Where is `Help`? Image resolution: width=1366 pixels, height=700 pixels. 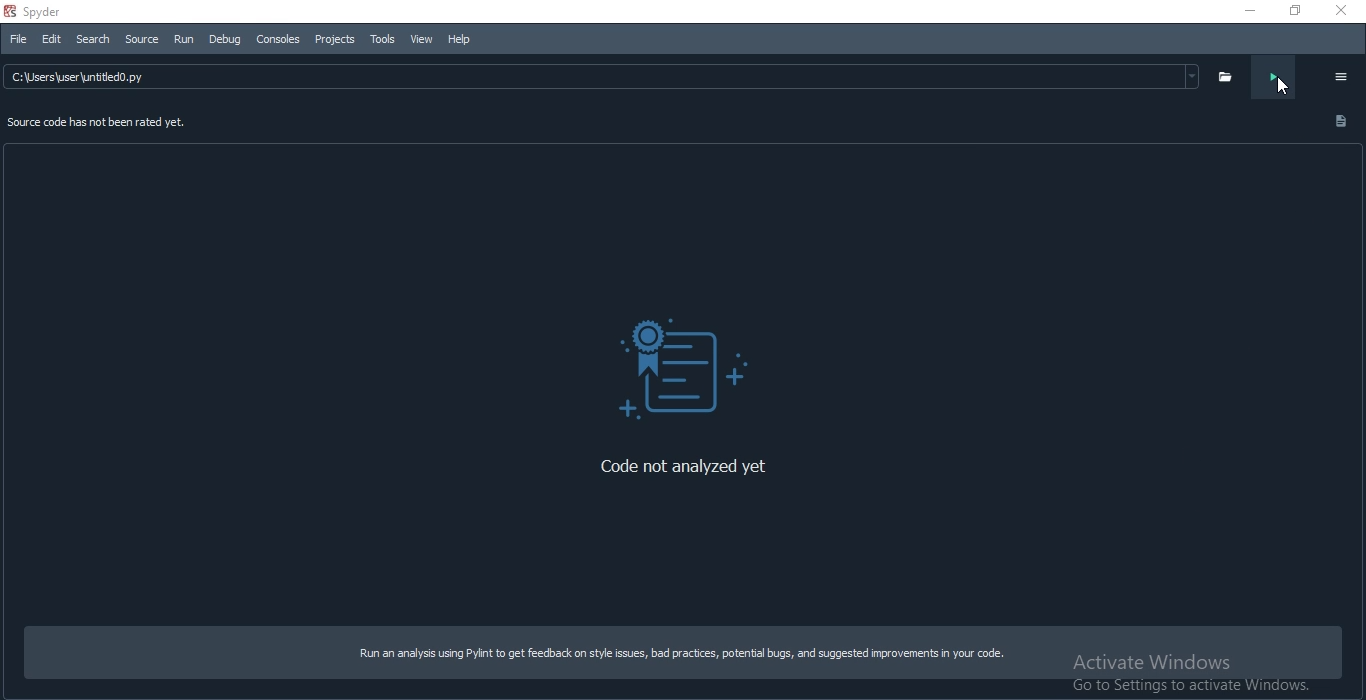
Help is located at coordinates (461, 37).